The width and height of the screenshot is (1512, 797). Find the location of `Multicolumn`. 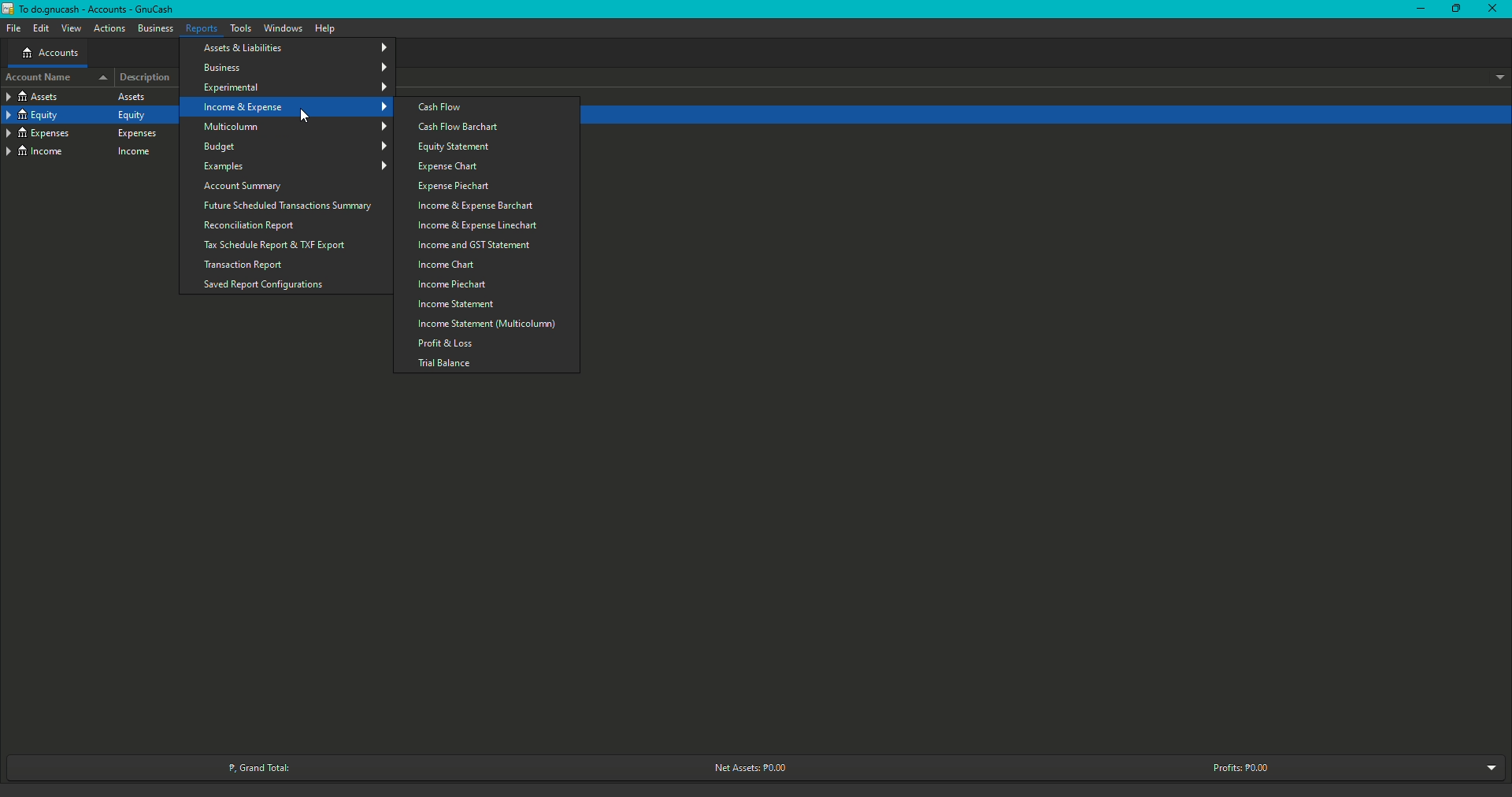

Multicolumn is located at coordinates (487, 324).